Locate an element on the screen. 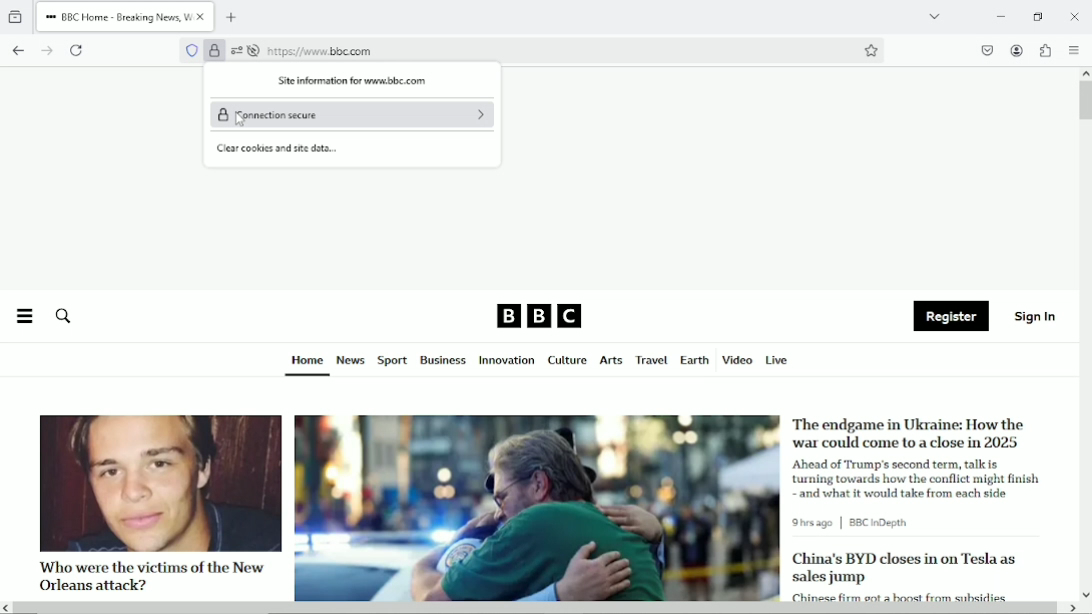 This screenshot has height=614, width=1092. scroll left is located at coordinates (7, 608).